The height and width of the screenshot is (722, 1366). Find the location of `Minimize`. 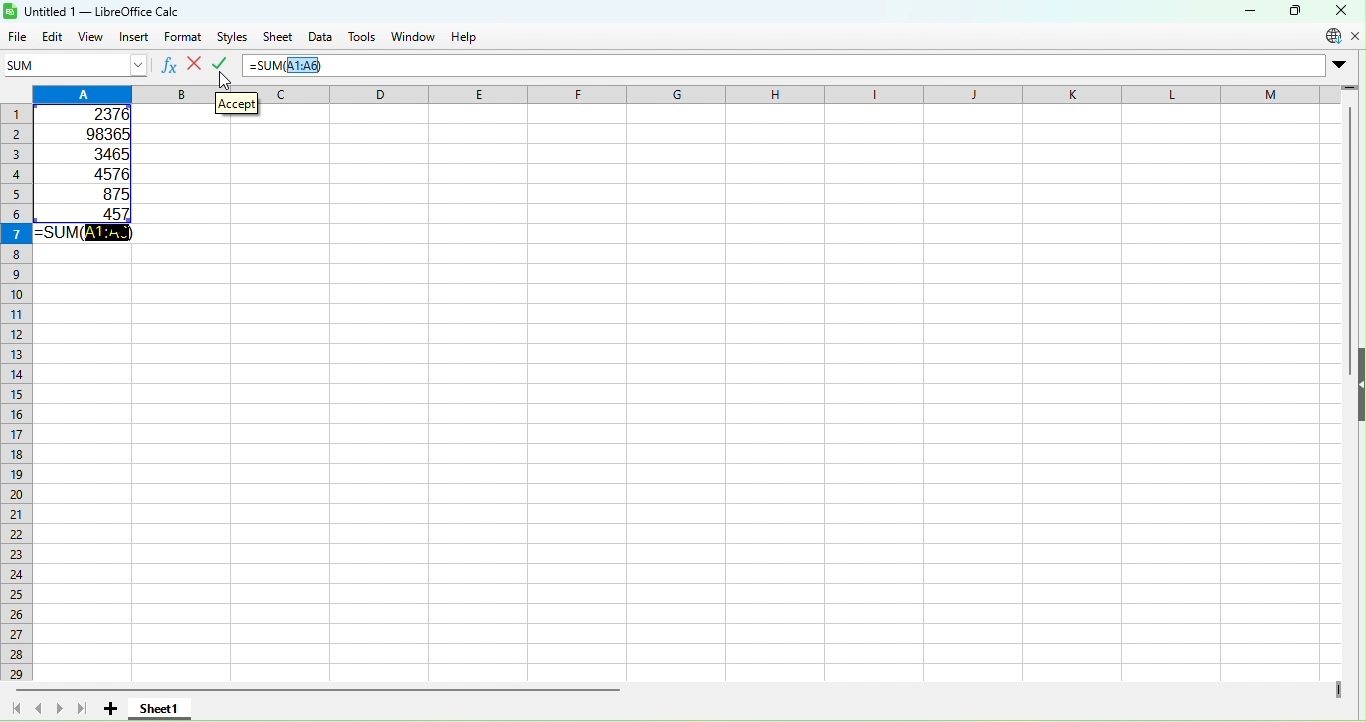

Minimize is located at coordinates (1247, 12).